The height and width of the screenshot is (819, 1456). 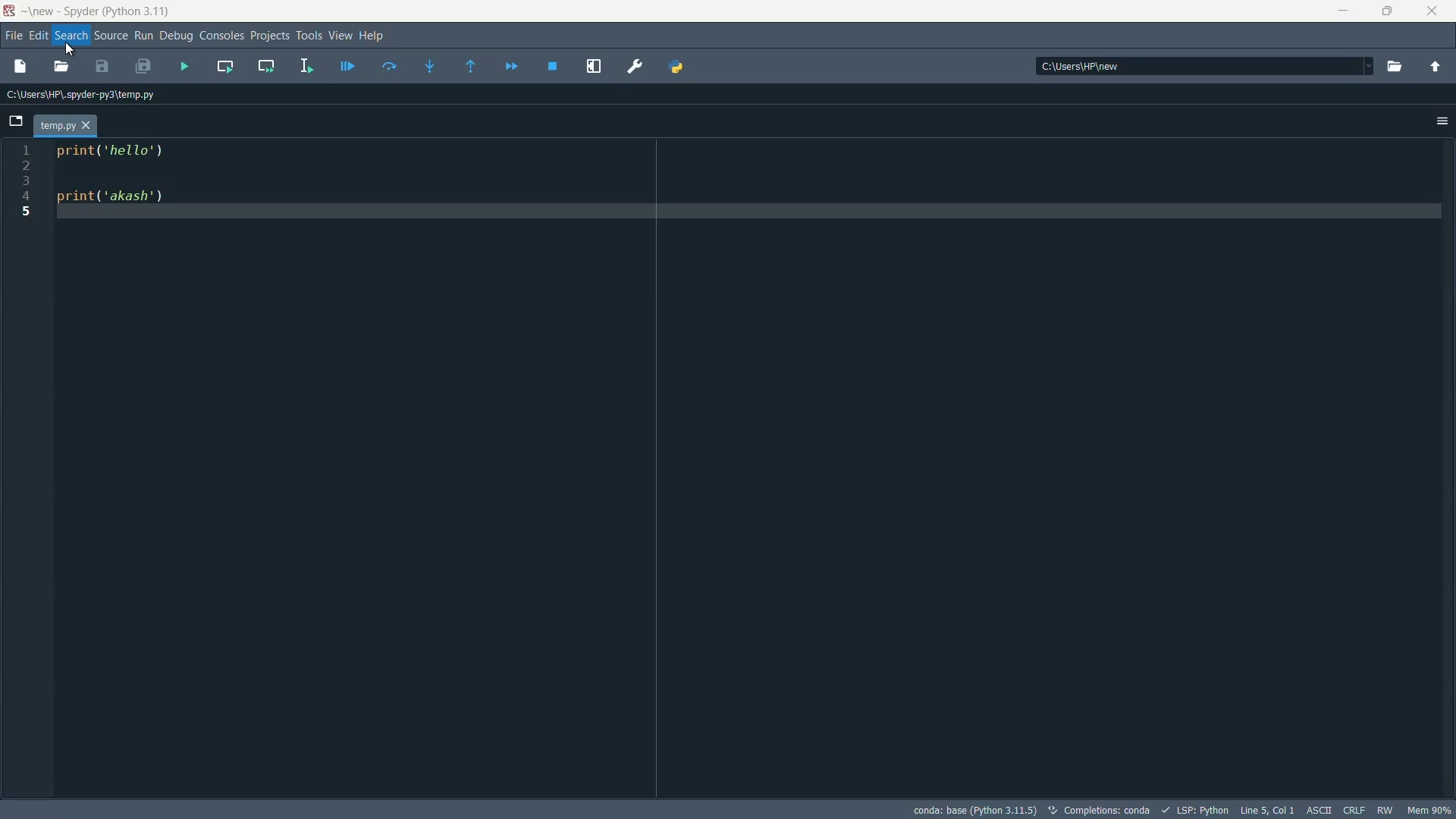 What do you see at coordinates (102, 67) in the screenshot?
I see `save file` at bounding box center [102, 67].